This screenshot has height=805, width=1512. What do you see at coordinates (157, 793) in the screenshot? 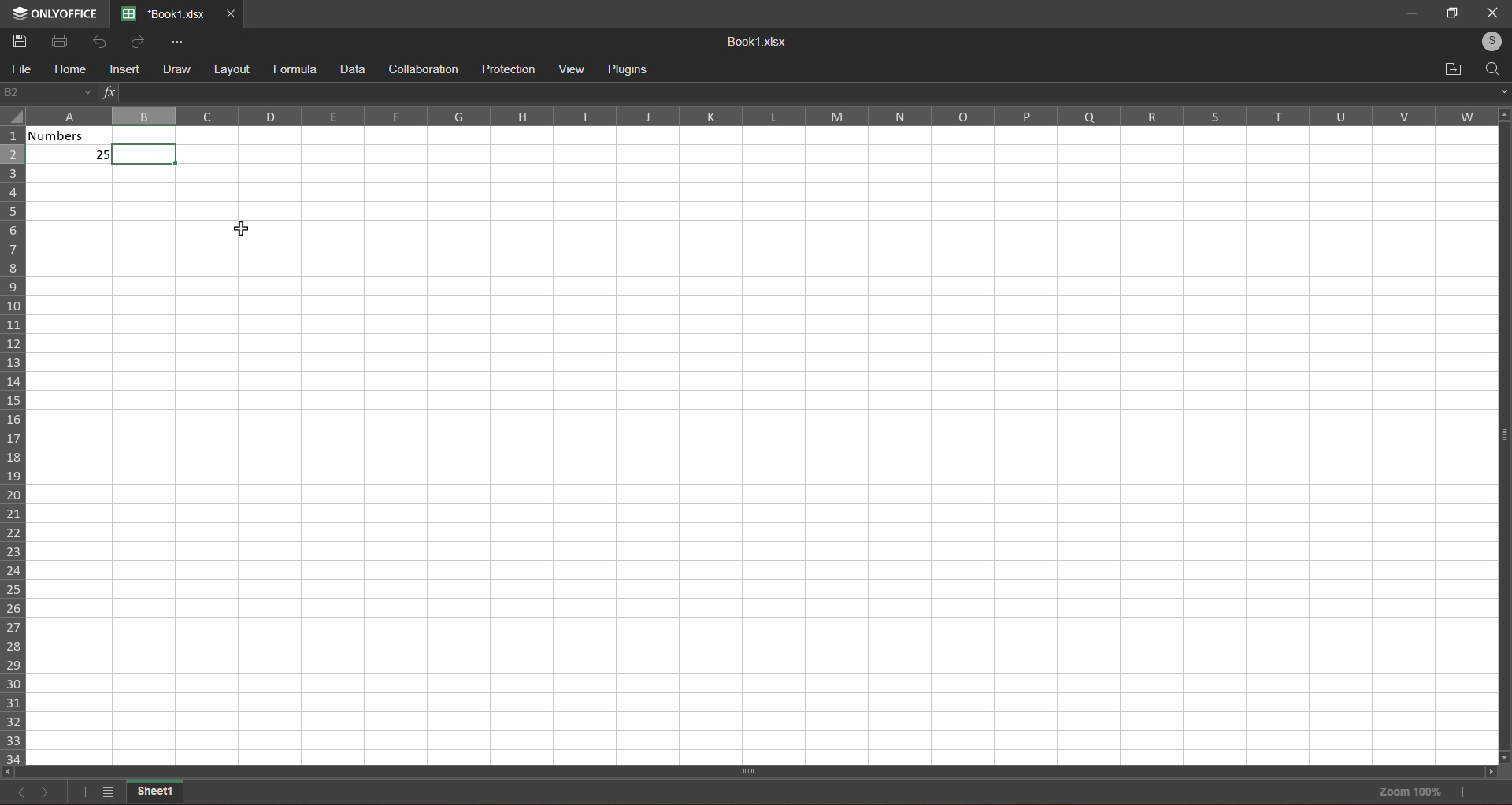
I see `sheet1` at bounding box center [157, 793].